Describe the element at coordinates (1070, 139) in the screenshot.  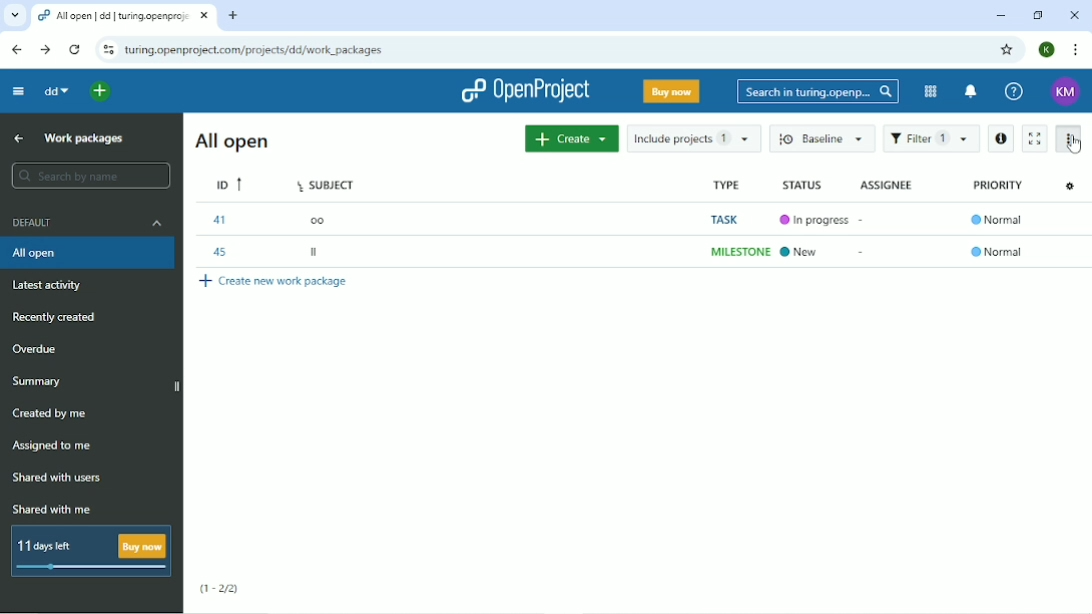
I see `More actions` at that location.